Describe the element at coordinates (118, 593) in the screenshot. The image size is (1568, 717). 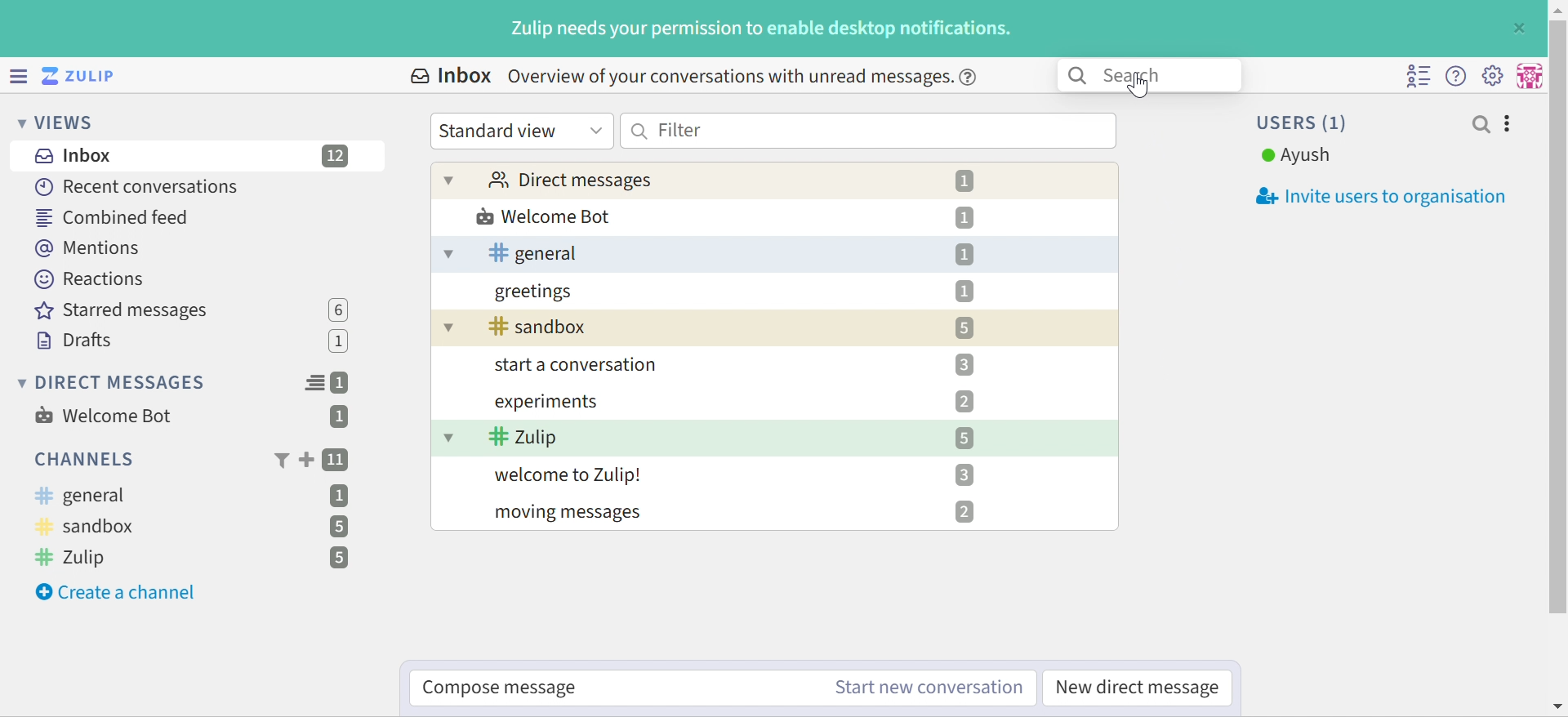
I see `Create a channel` at that location.